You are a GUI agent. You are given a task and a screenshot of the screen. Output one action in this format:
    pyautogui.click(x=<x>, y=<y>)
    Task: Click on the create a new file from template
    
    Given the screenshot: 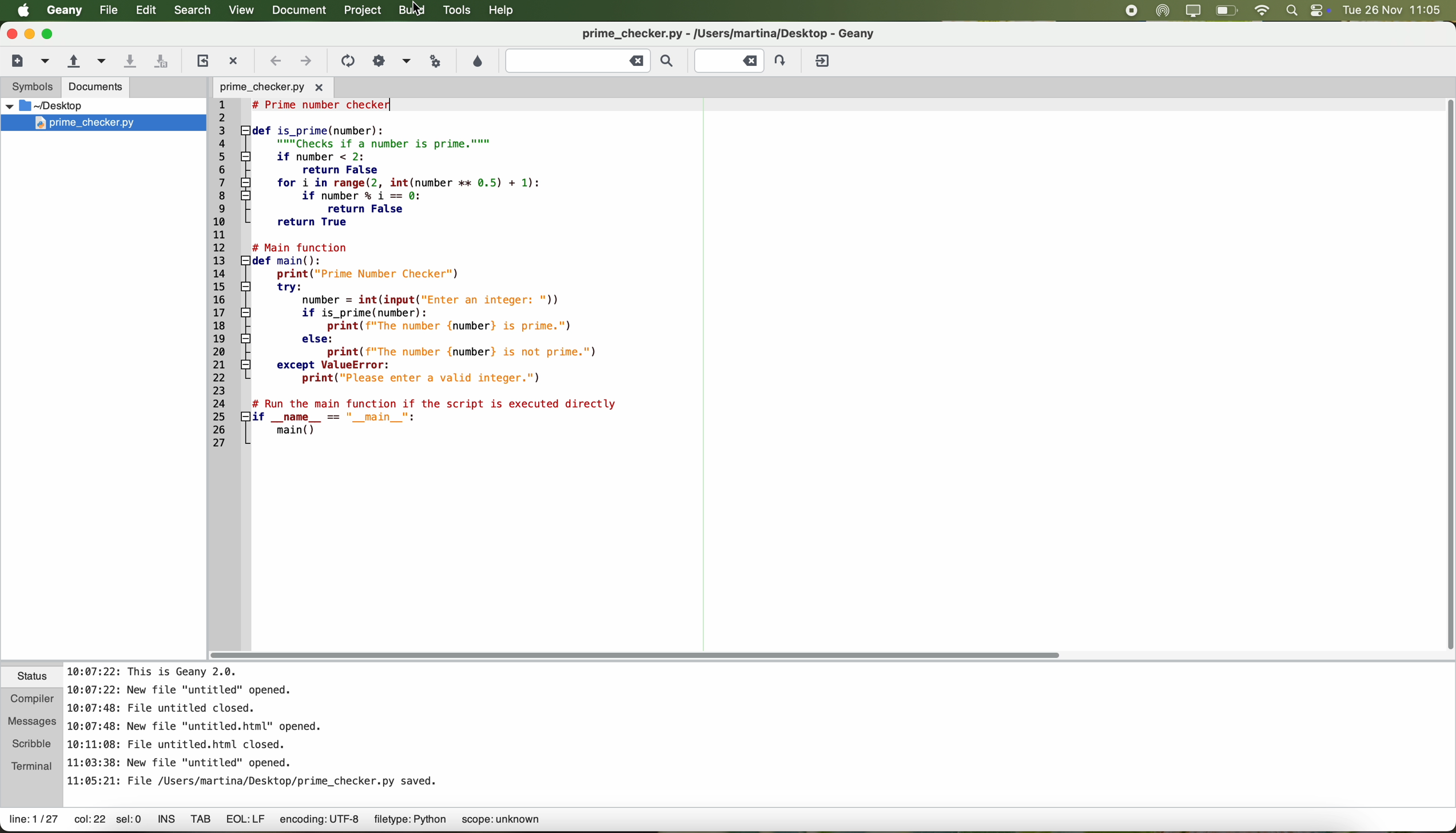 What is the action you would take?
    pyautogui.click(x=46, y=62)
    